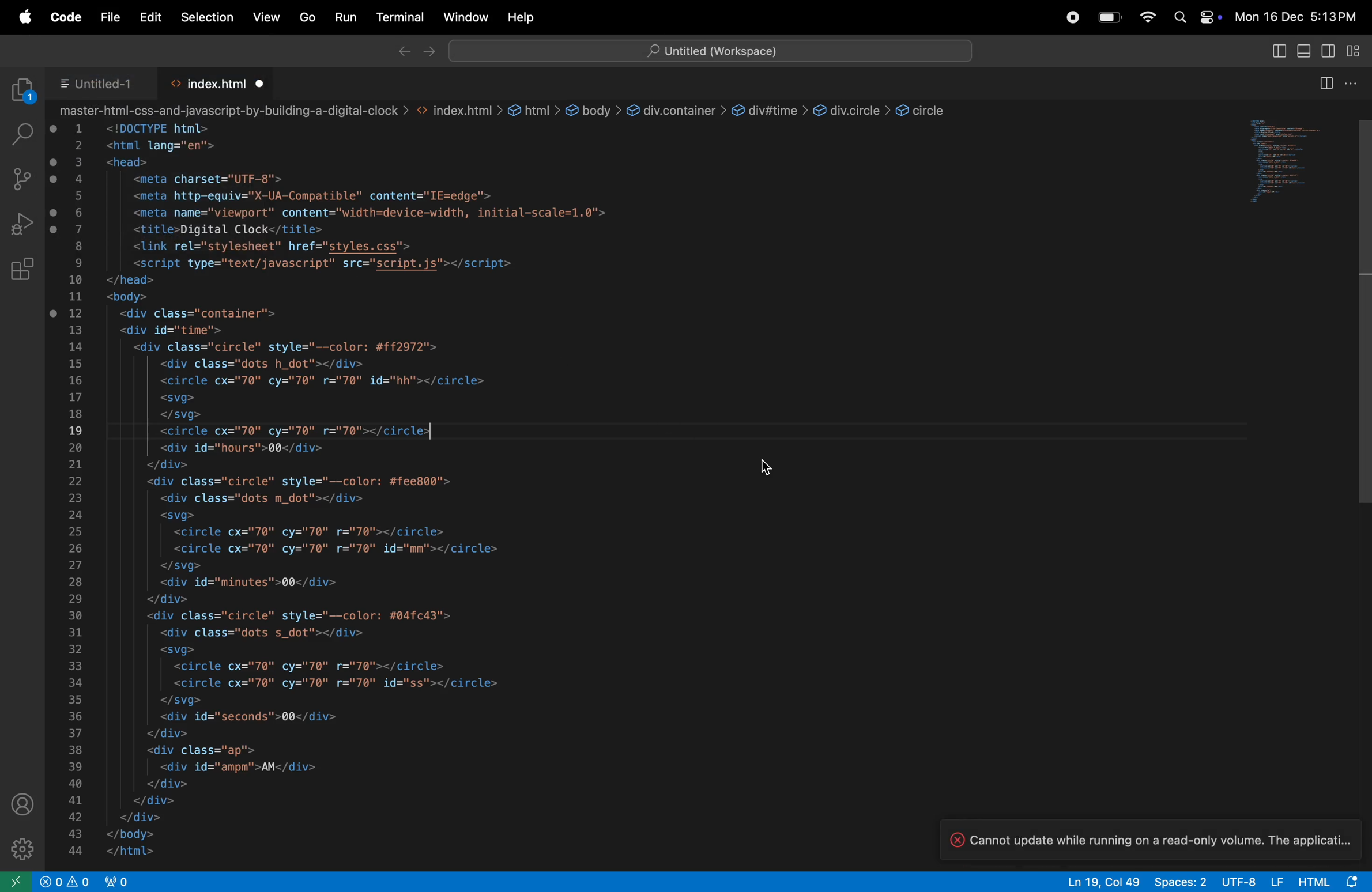 The image size is (1372, 892). I want to click on | <div id="hours">00</div>, so click(249, 448).